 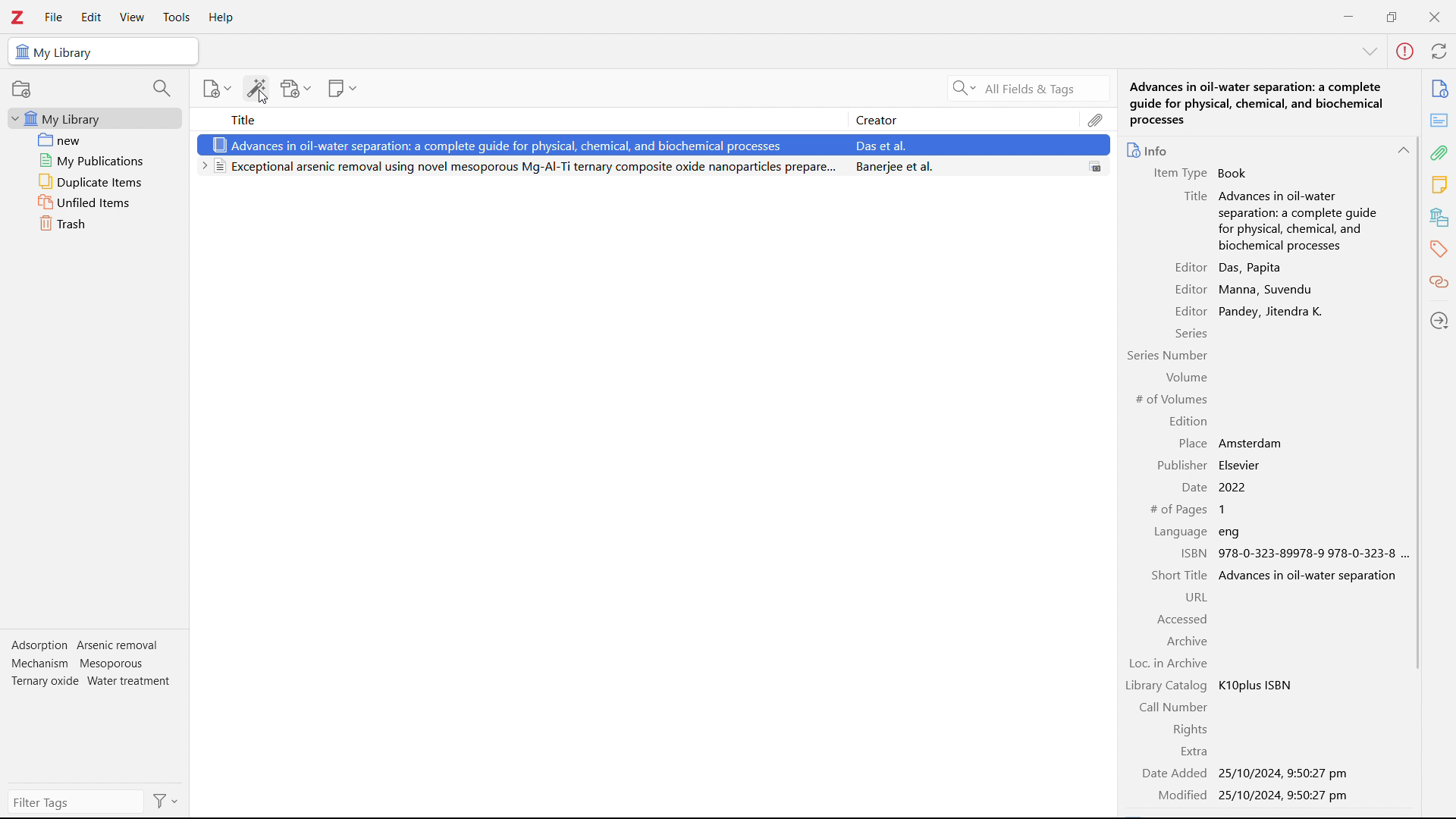 I want to click on K10plus ISBN, so click(x=1258, y=685).